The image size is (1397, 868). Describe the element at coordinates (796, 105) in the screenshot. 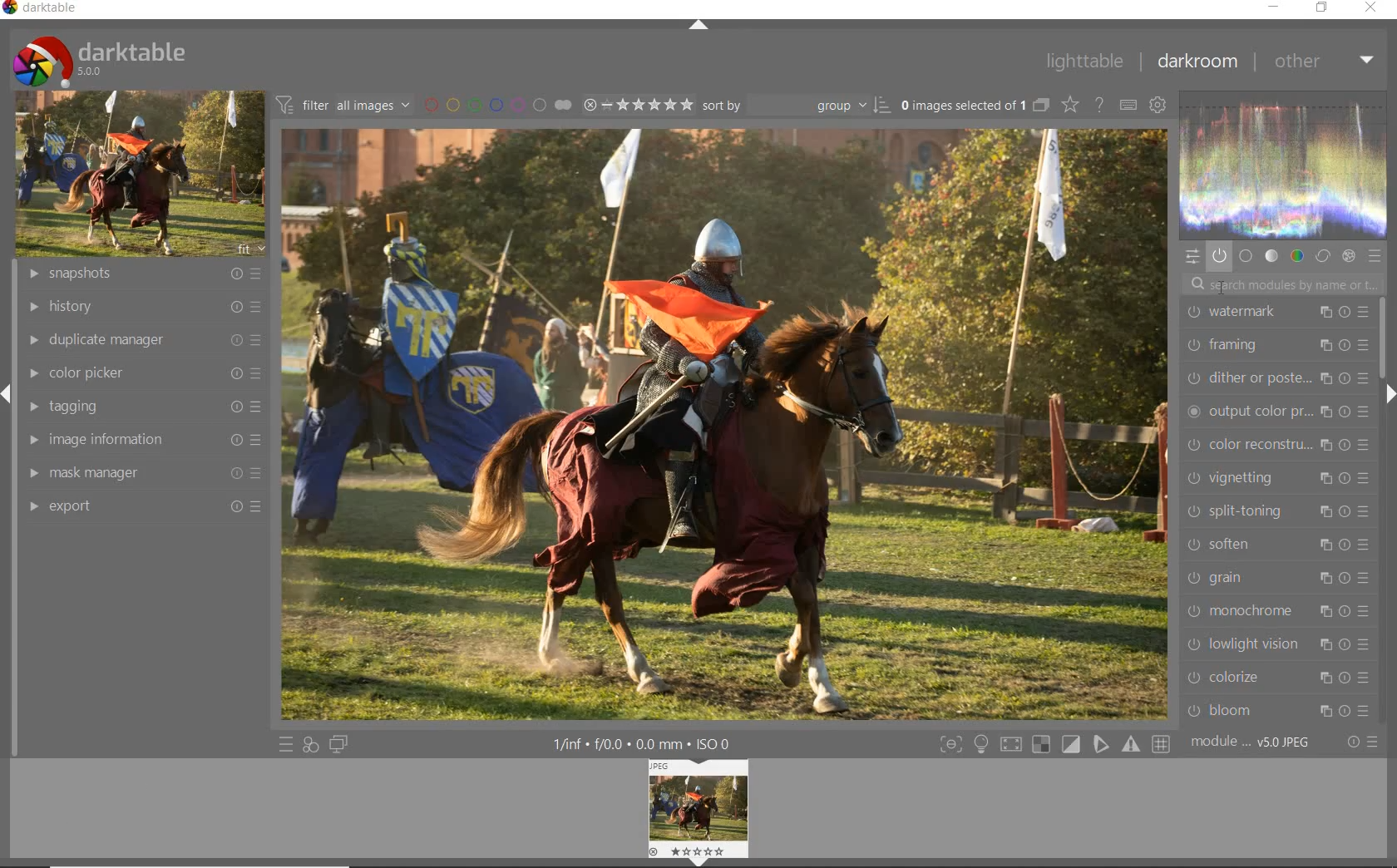

I see `Sort by` at that location.